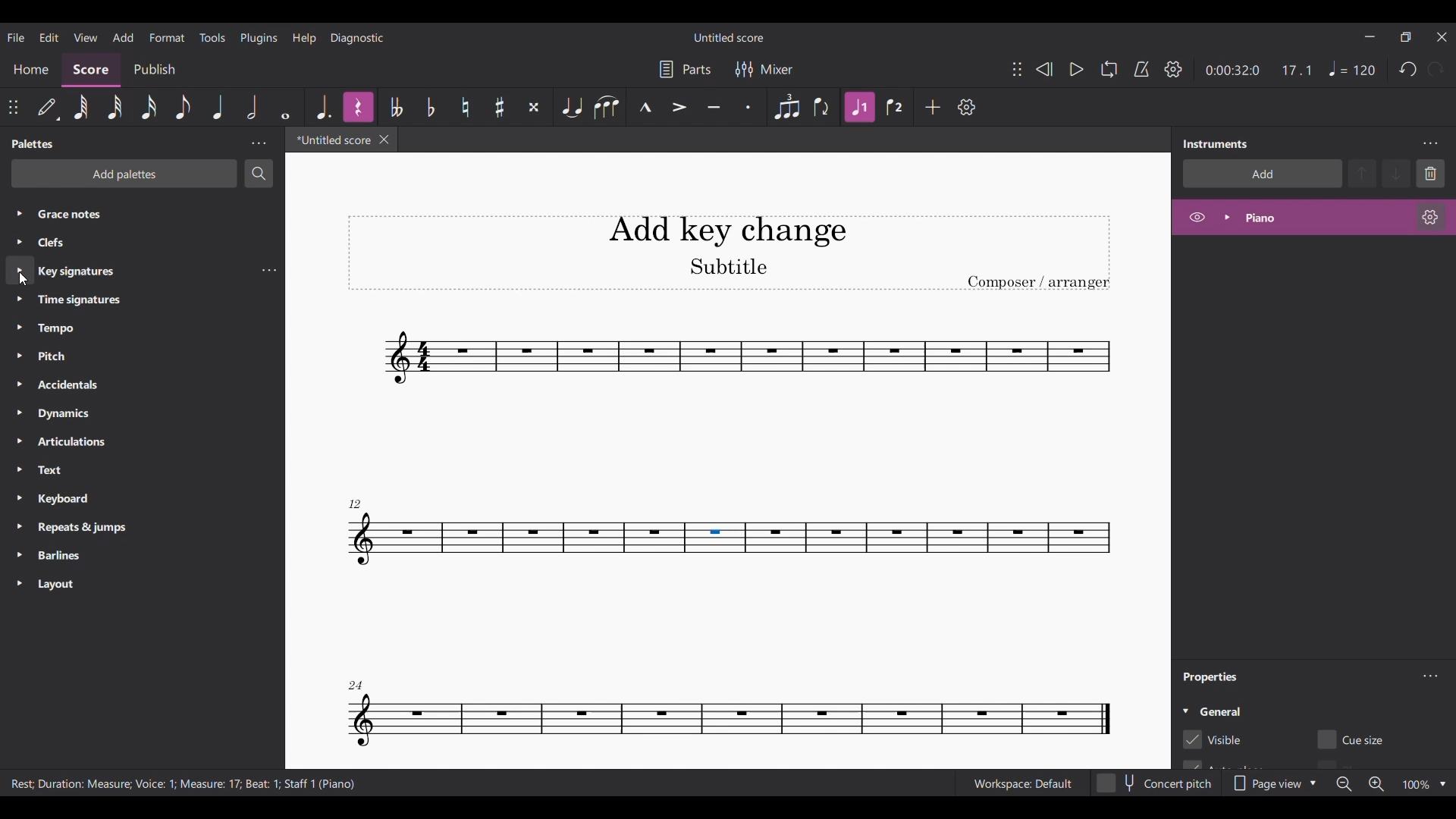  What do you see at coordinates (1442, 785) in the screenshot?
I see `Zoom factor options` at bounding box center [1442, 785].